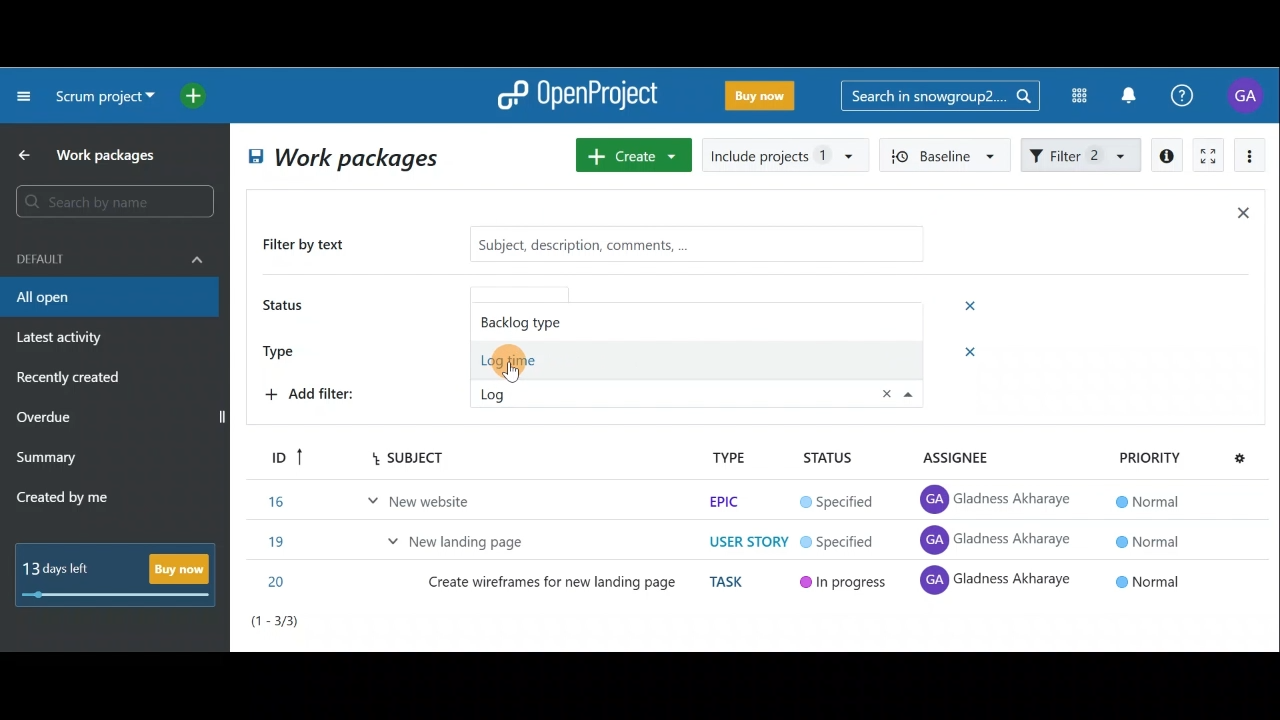  Describe the element at coordinates (1131, 93) in the screenshot. I see `Notification center` at that location.